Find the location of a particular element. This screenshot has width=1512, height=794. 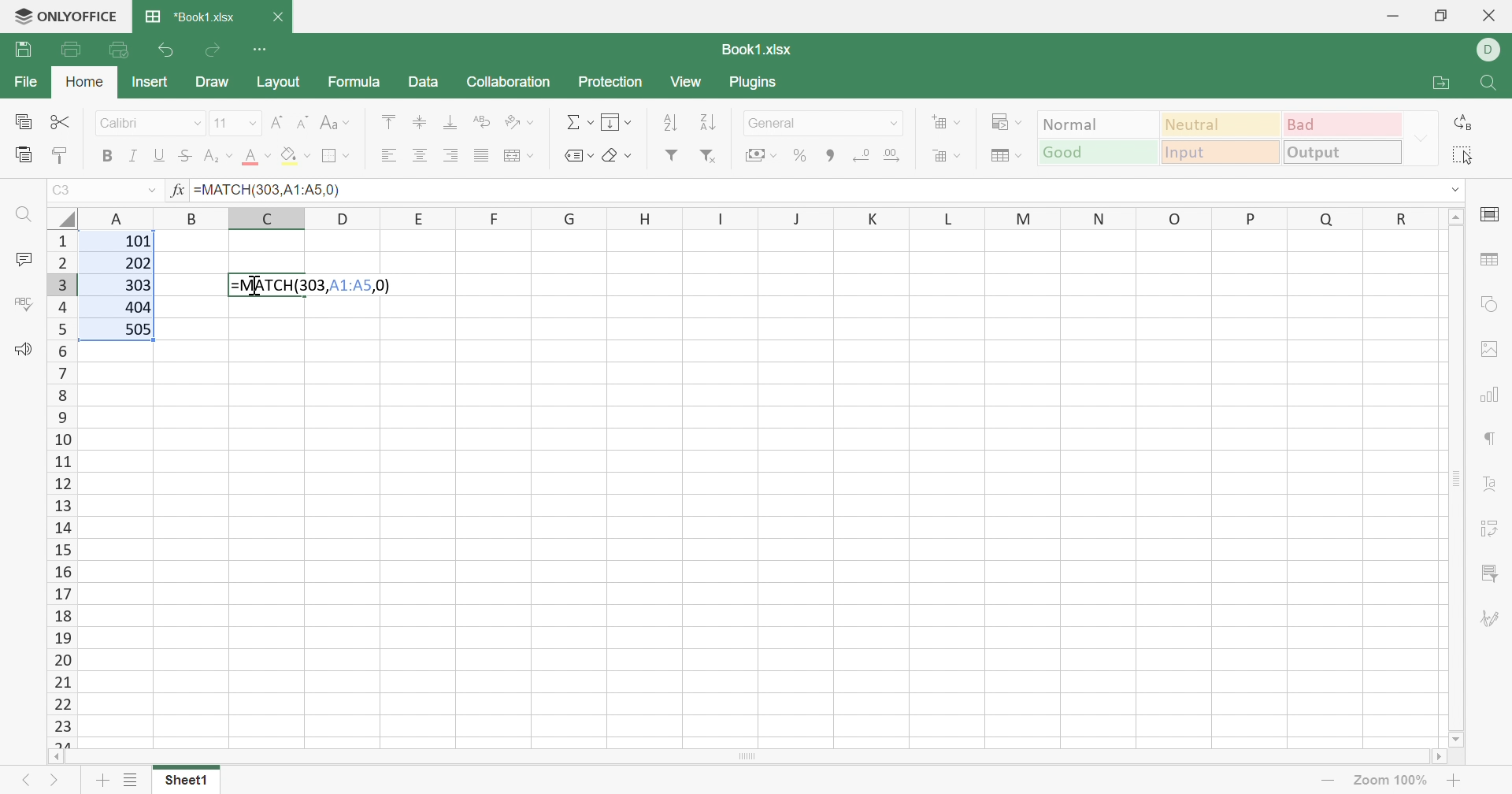

Font color is located at coordinates (258, 158).